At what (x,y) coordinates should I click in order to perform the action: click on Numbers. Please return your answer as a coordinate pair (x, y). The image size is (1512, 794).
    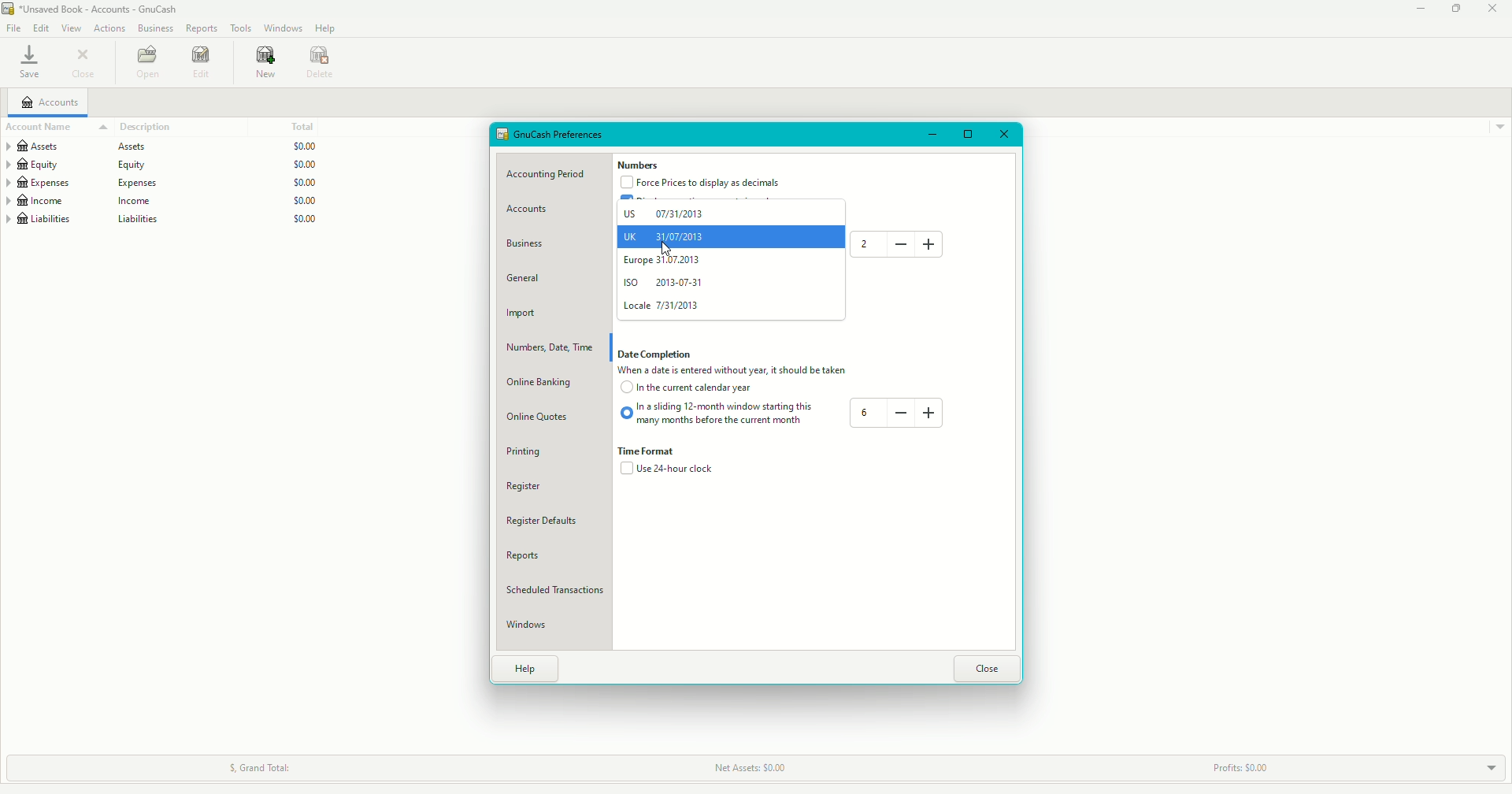
    Looking at the image, I should click on (638, 165).